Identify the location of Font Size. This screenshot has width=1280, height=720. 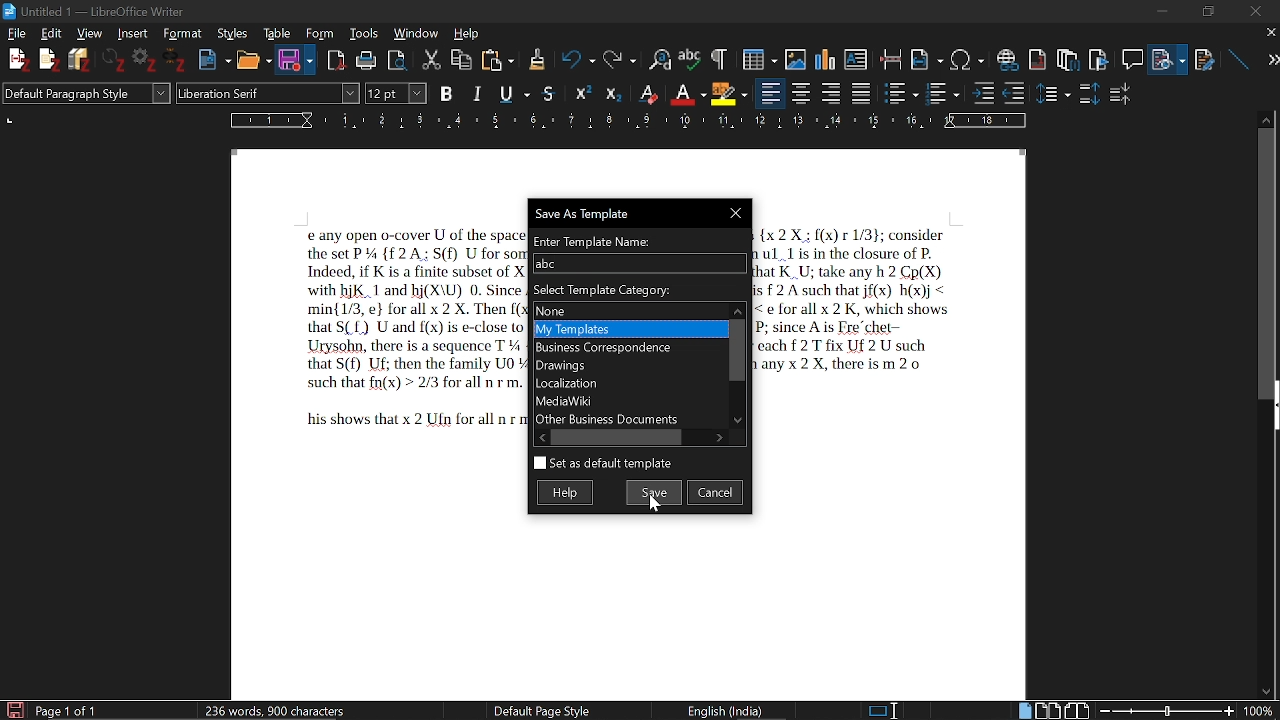
(383, 94).